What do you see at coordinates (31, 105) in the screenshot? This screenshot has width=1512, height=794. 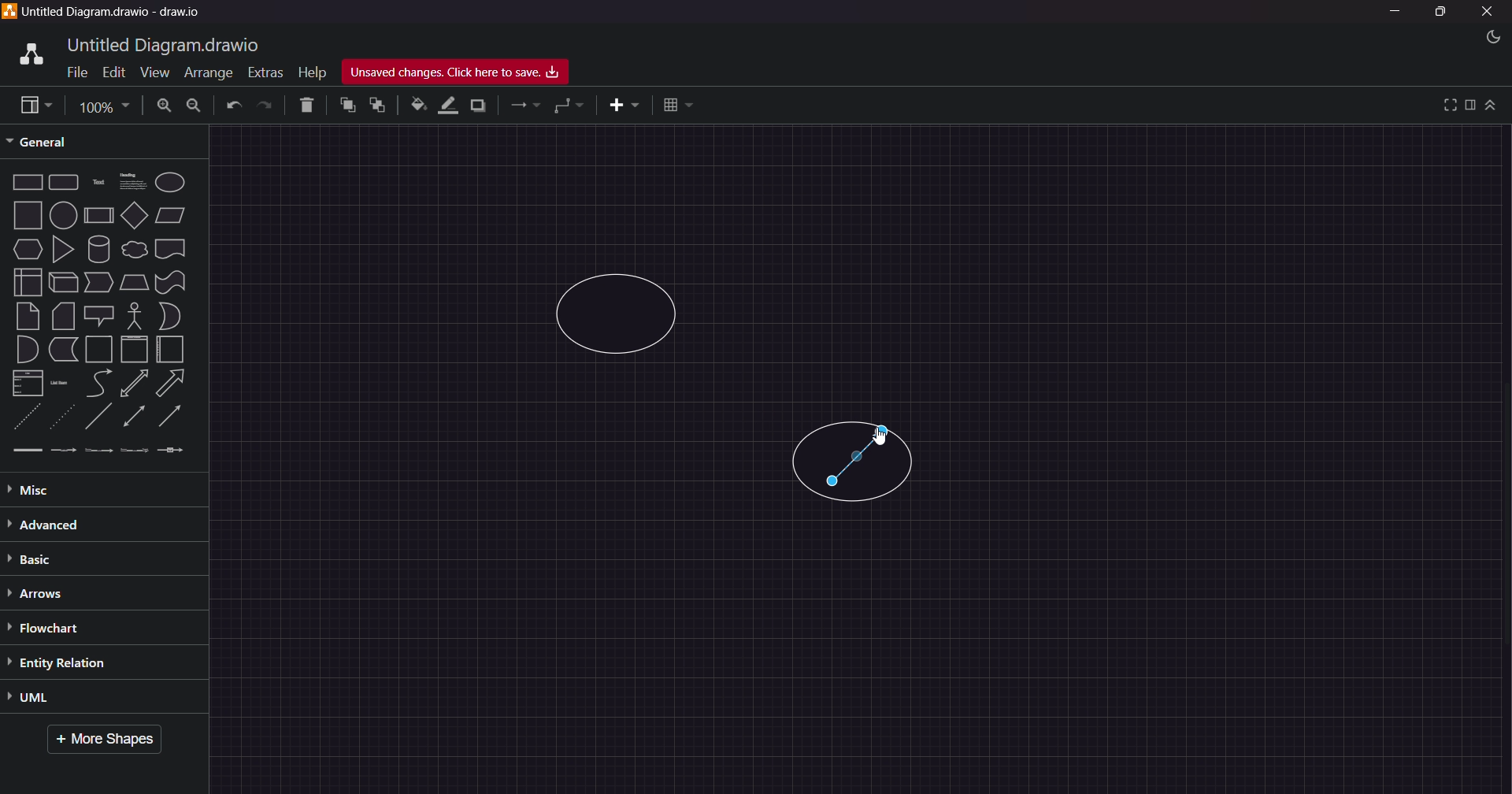 I see `view` at bounding box center [31, 105].